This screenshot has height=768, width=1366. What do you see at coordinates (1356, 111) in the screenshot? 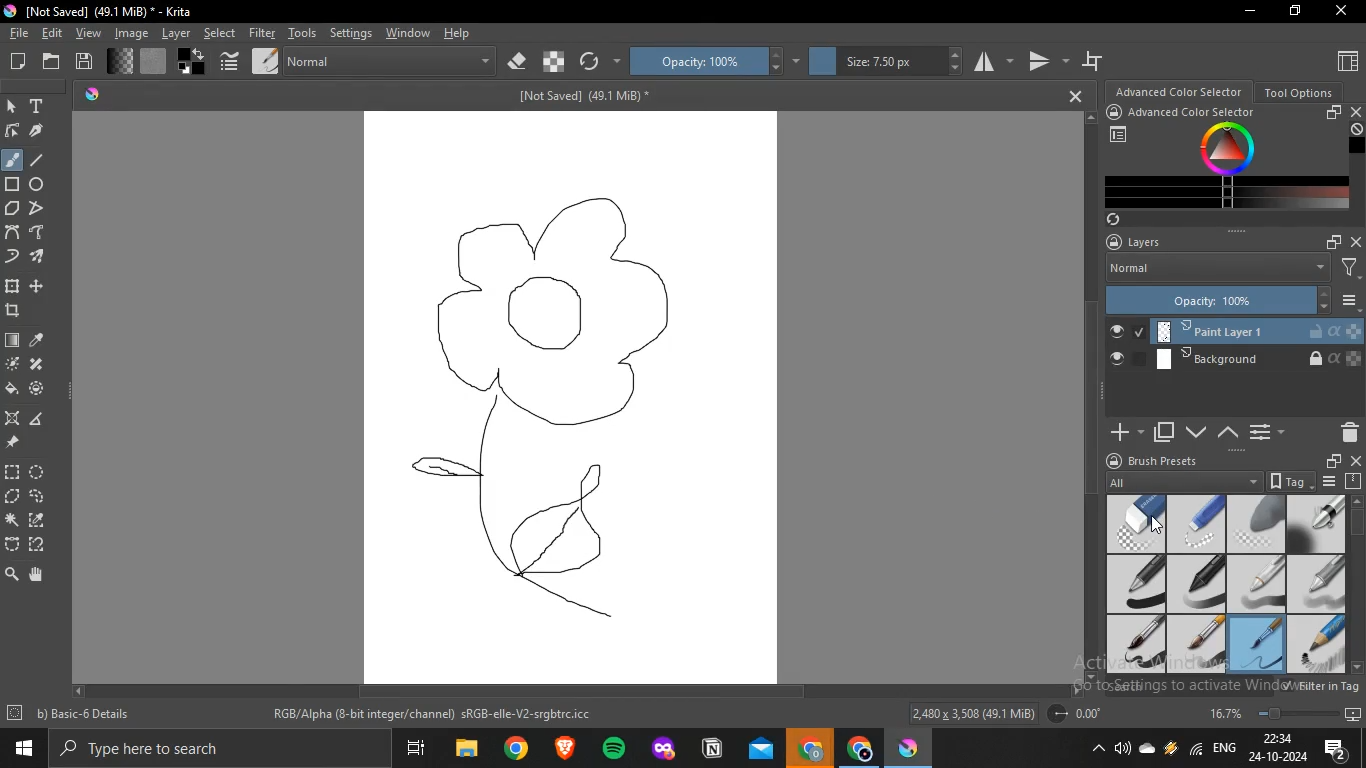
I see `close` at bounding box center [1356, 111].